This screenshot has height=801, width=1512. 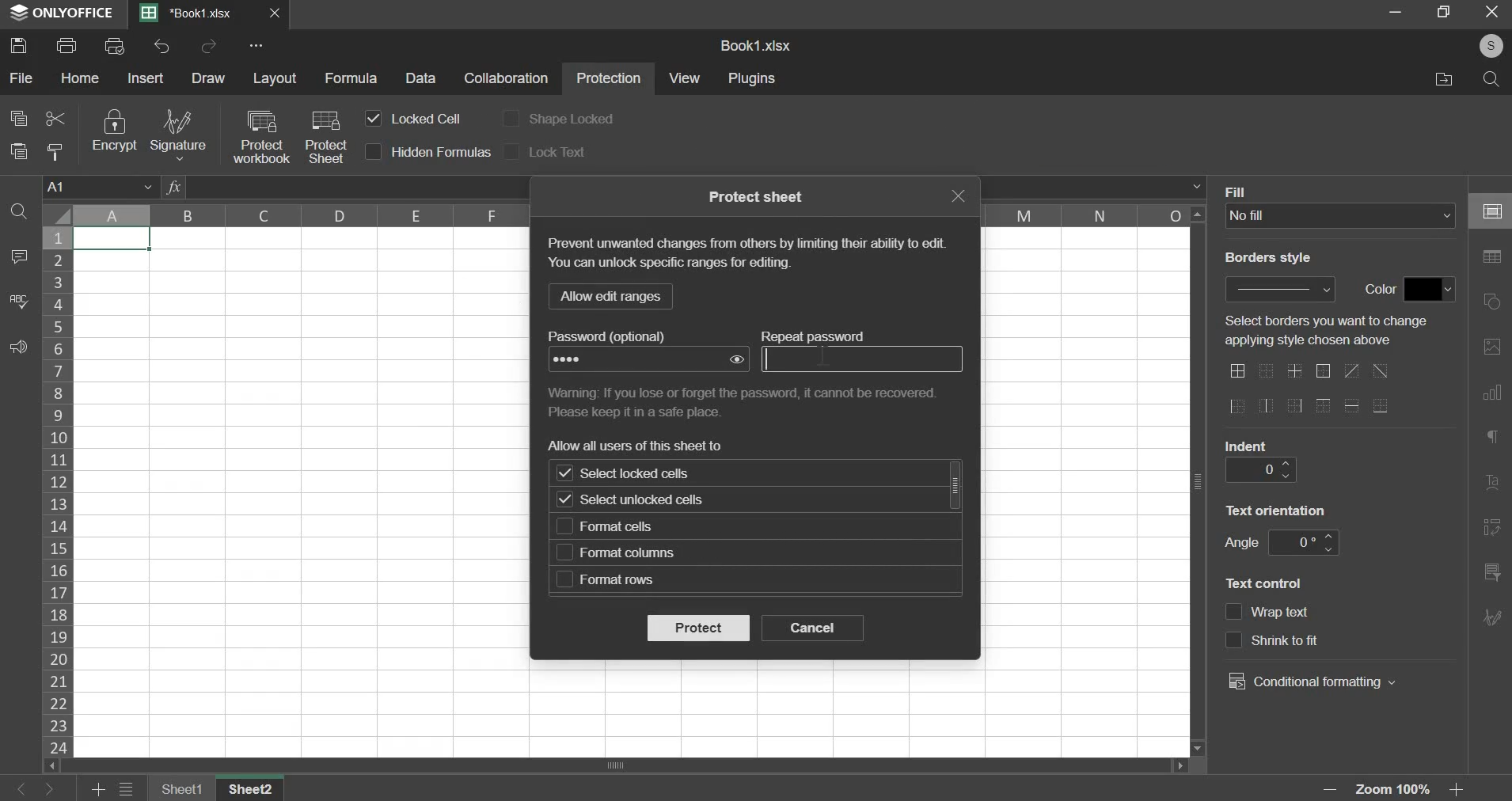 What do you see at coordinates (1284, 613) in the screenshot?
I see `text control` at bounding box center [1284, 613].